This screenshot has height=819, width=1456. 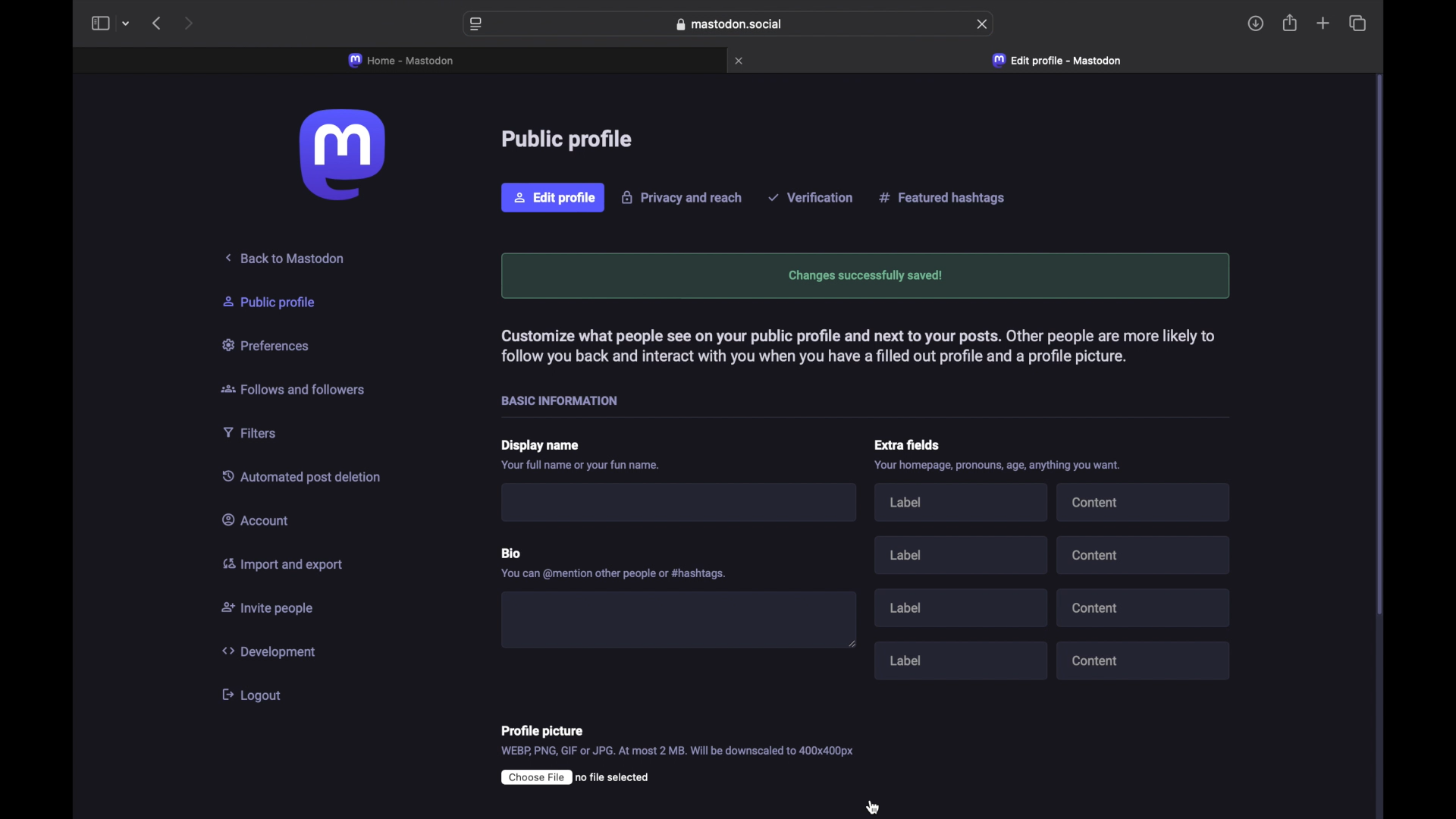 What do you see at coordinates (960, 503) in the screenshot?
I see `label` at bounding box center [960, 503].